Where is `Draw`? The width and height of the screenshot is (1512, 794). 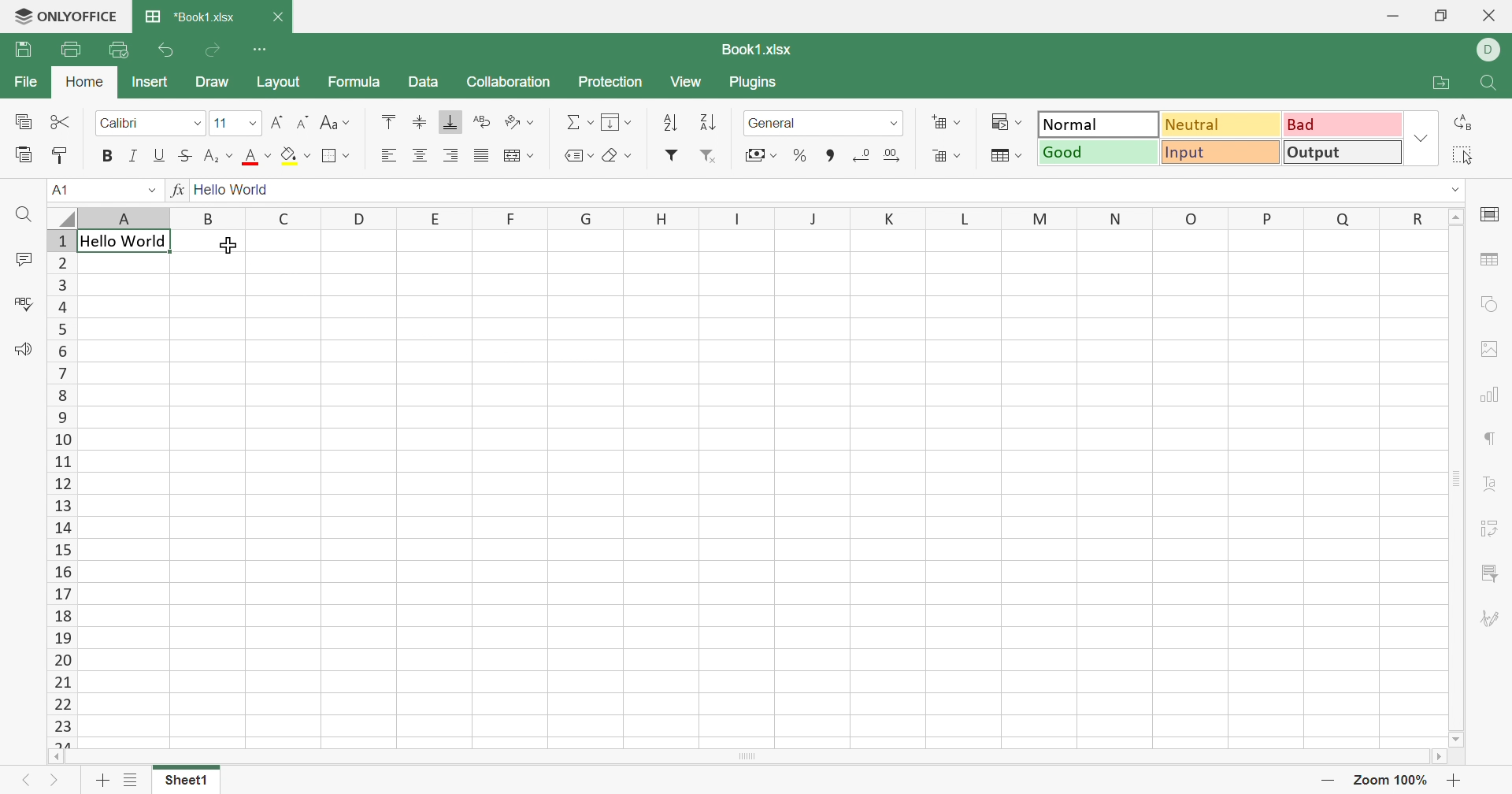 Draw is located at coordinates (207, 82).